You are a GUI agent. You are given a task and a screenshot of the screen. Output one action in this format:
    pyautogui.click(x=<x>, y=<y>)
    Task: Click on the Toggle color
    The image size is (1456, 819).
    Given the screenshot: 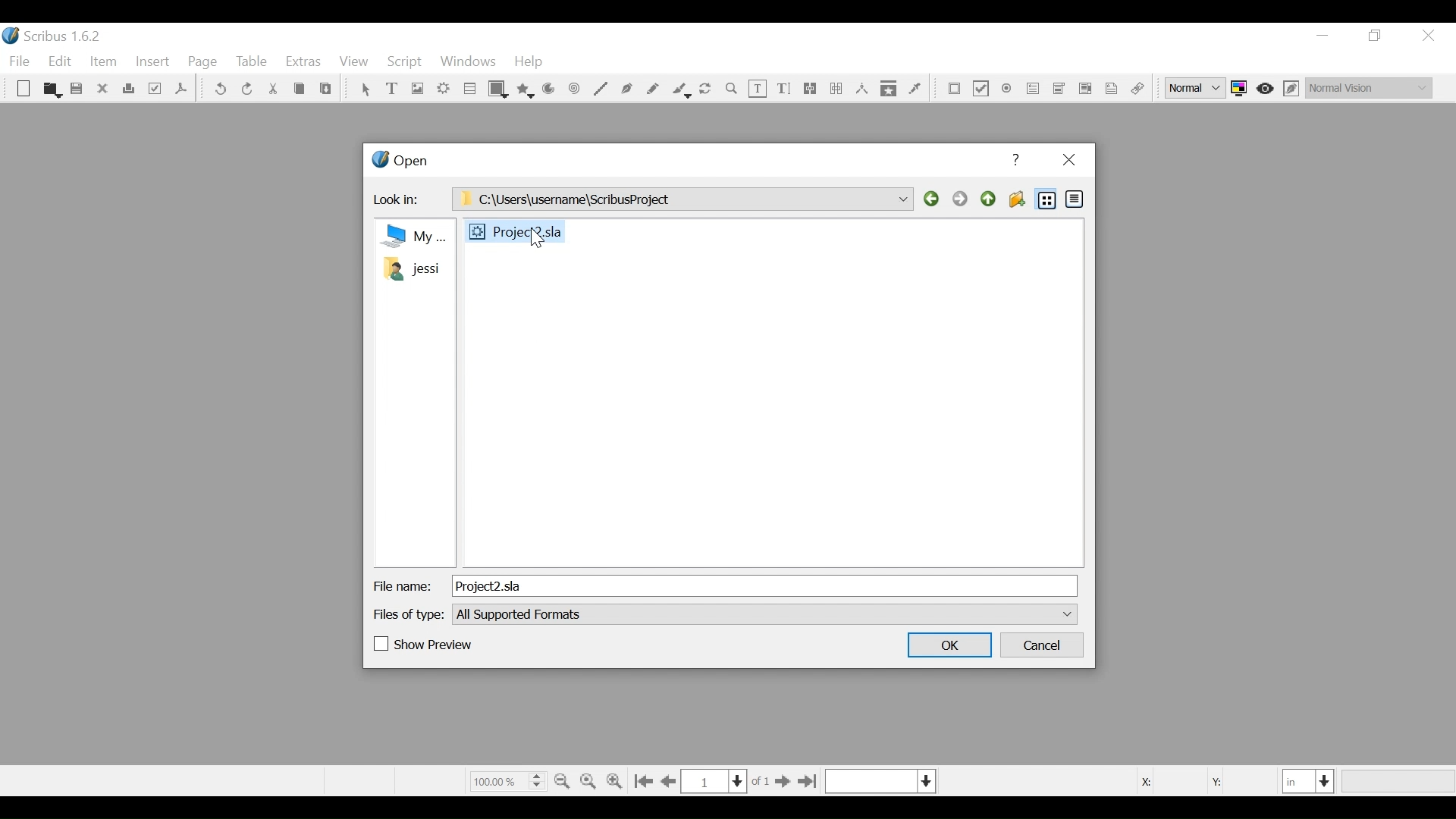 What is the action you would take?
    pyautogui.click(x=1243, y=88)
    